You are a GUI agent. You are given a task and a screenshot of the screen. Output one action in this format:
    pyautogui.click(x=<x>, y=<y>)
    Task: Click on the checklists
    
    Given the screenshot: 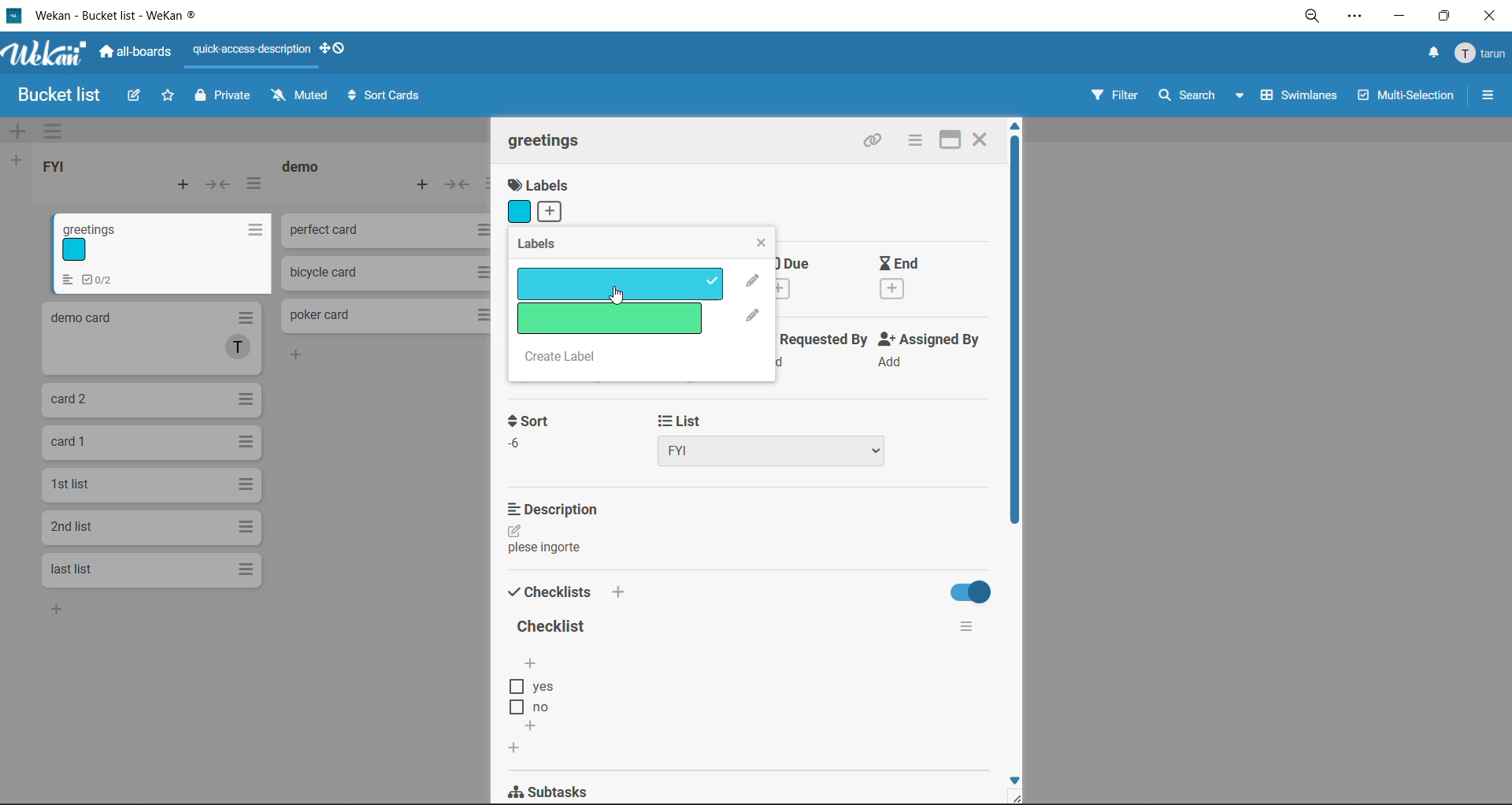 What is the action you would take?
    pyautogui.click(x=563, y=592)
    